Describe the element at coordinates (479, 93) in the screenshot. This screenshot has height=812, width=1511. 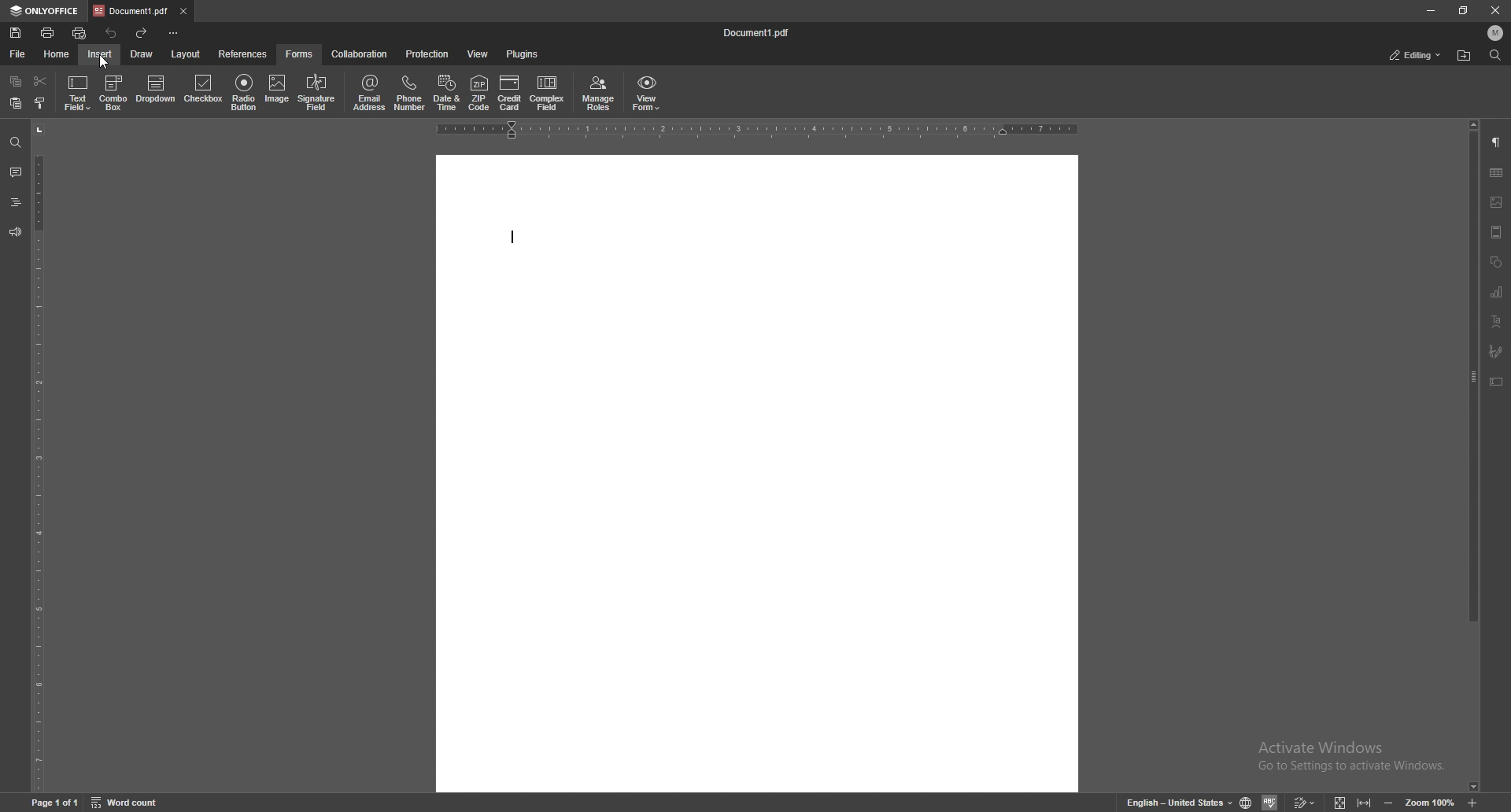
I see `zipcode` at that location.